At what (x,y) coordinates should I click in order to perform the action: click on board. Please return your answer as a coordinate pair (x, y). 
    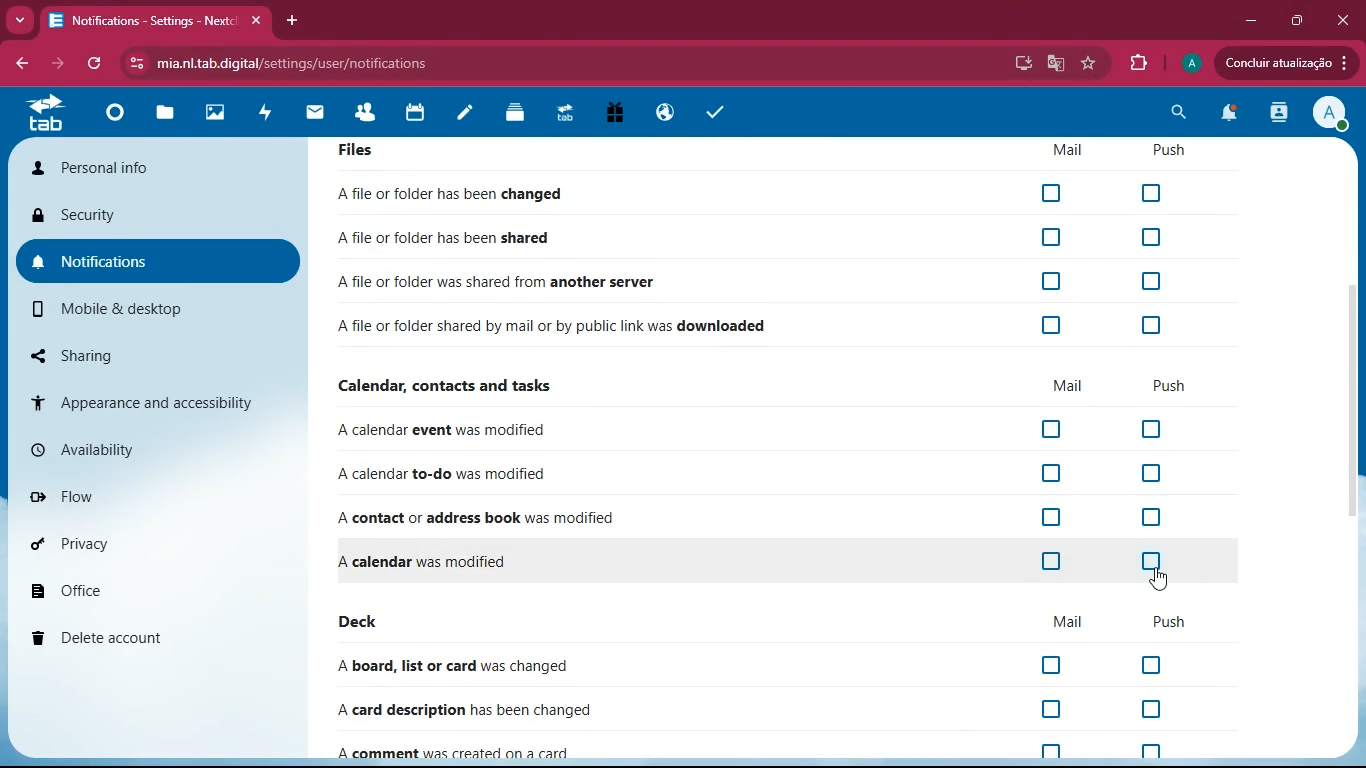
    Looking at the image, I should click on (467, 665).